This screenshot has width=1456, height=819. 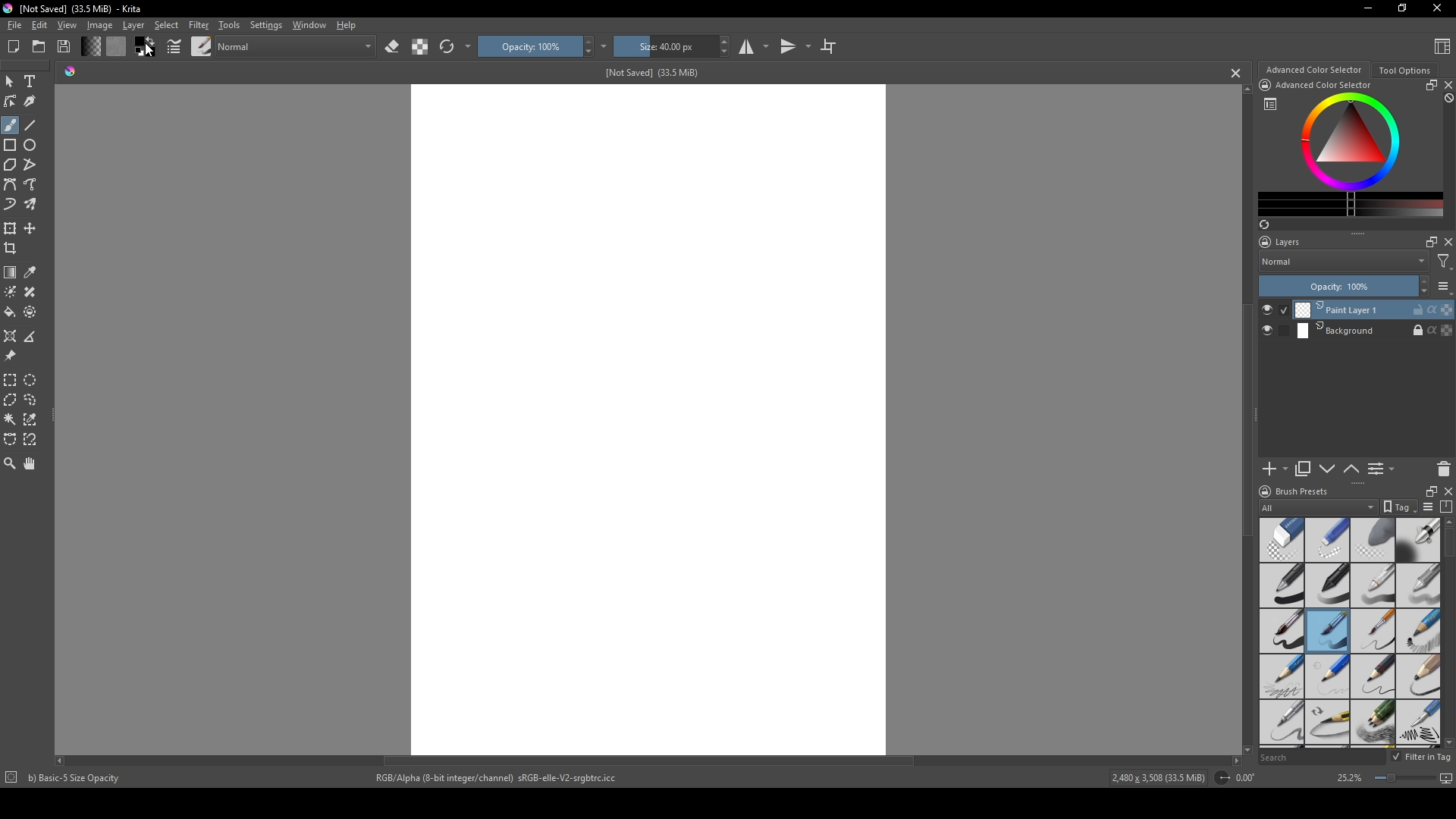 I want to click on transitions, so click(x=795, y=47).